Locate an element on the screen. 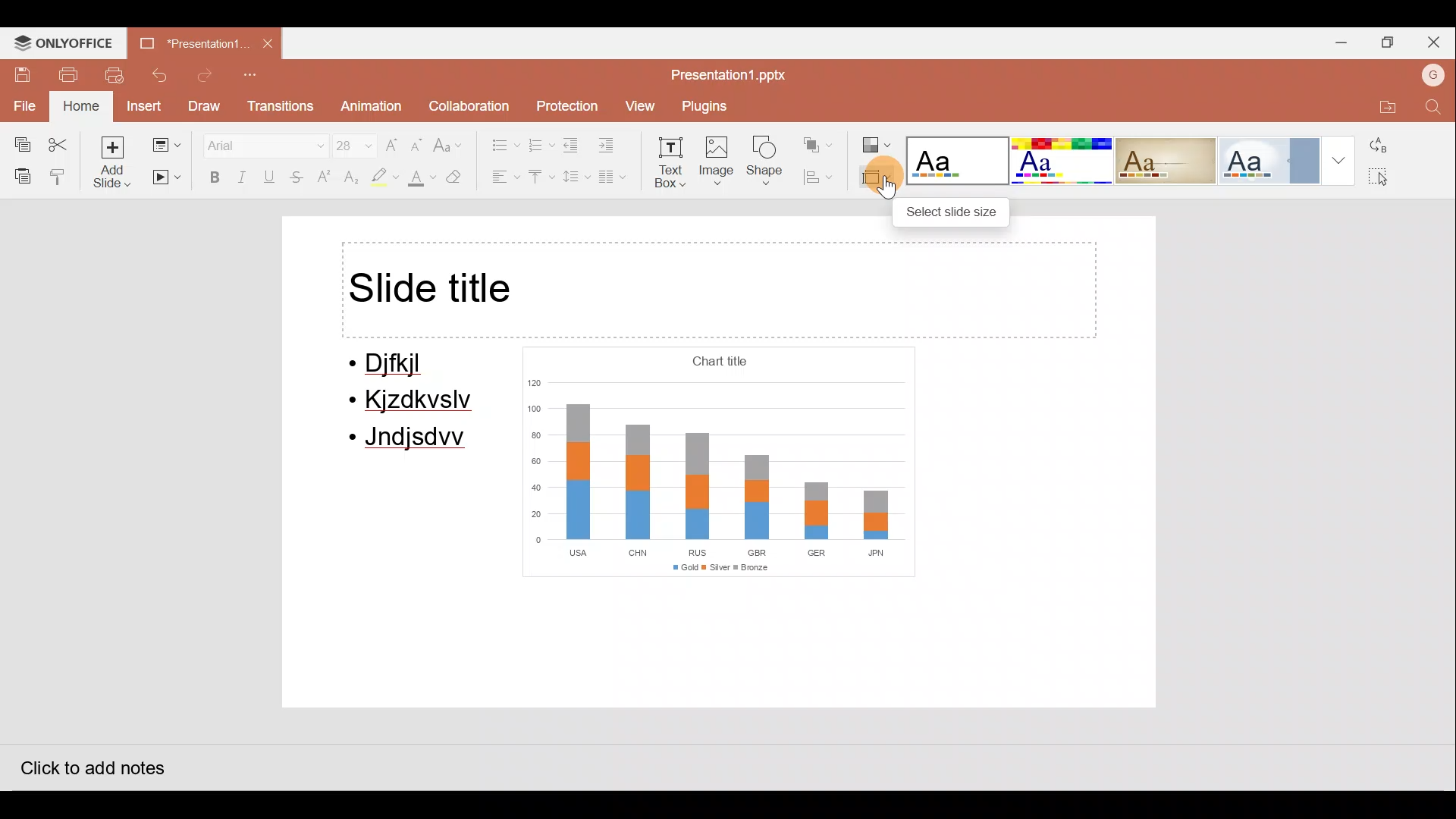 This screenshot has height=819, width=1456. Horizontal align is located at coordinates (501, 178).